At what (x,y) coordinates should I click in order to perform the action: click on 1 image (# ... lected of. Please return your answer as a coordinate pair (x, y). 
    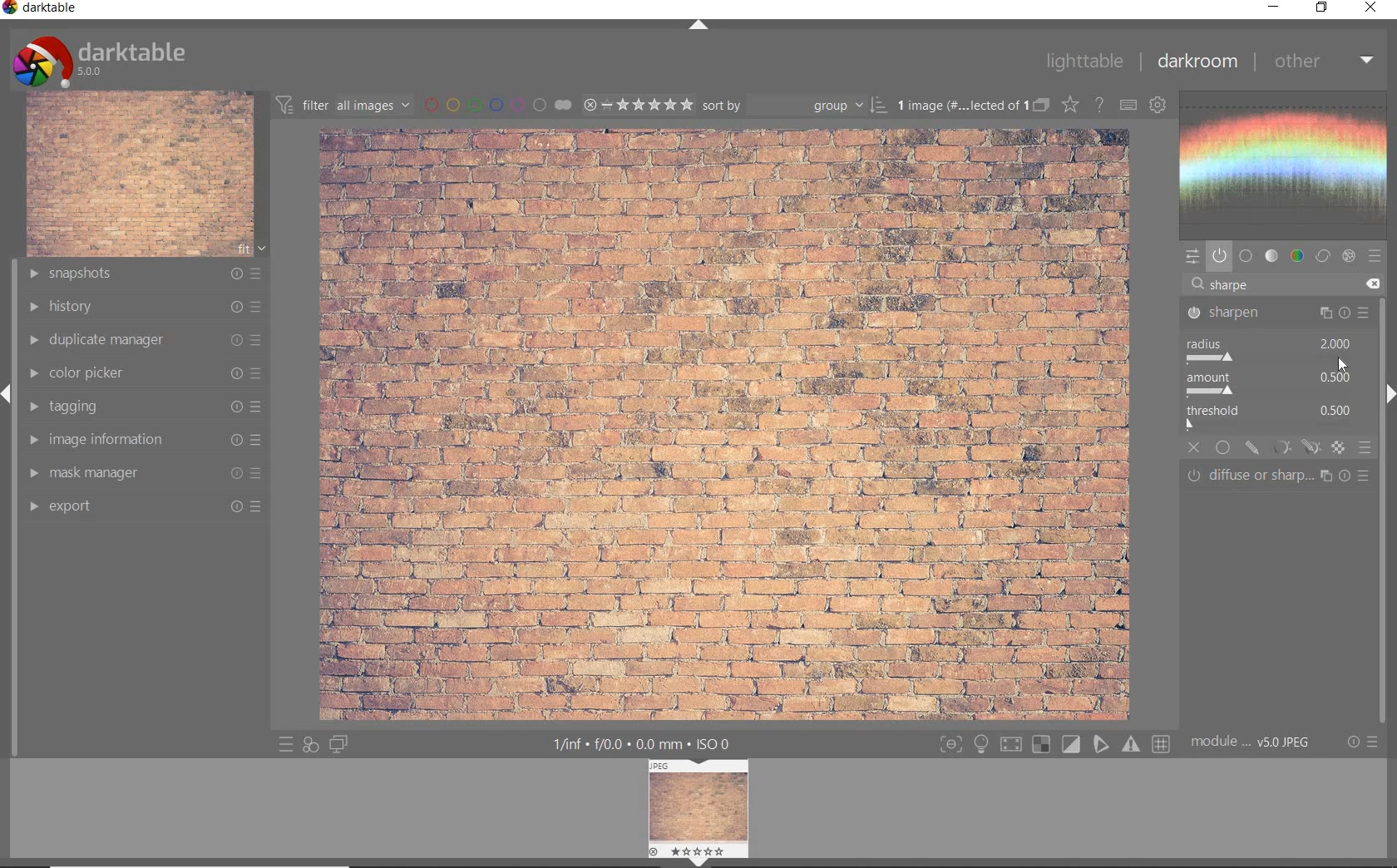
    Looking at the image, I should click on (959, 104).